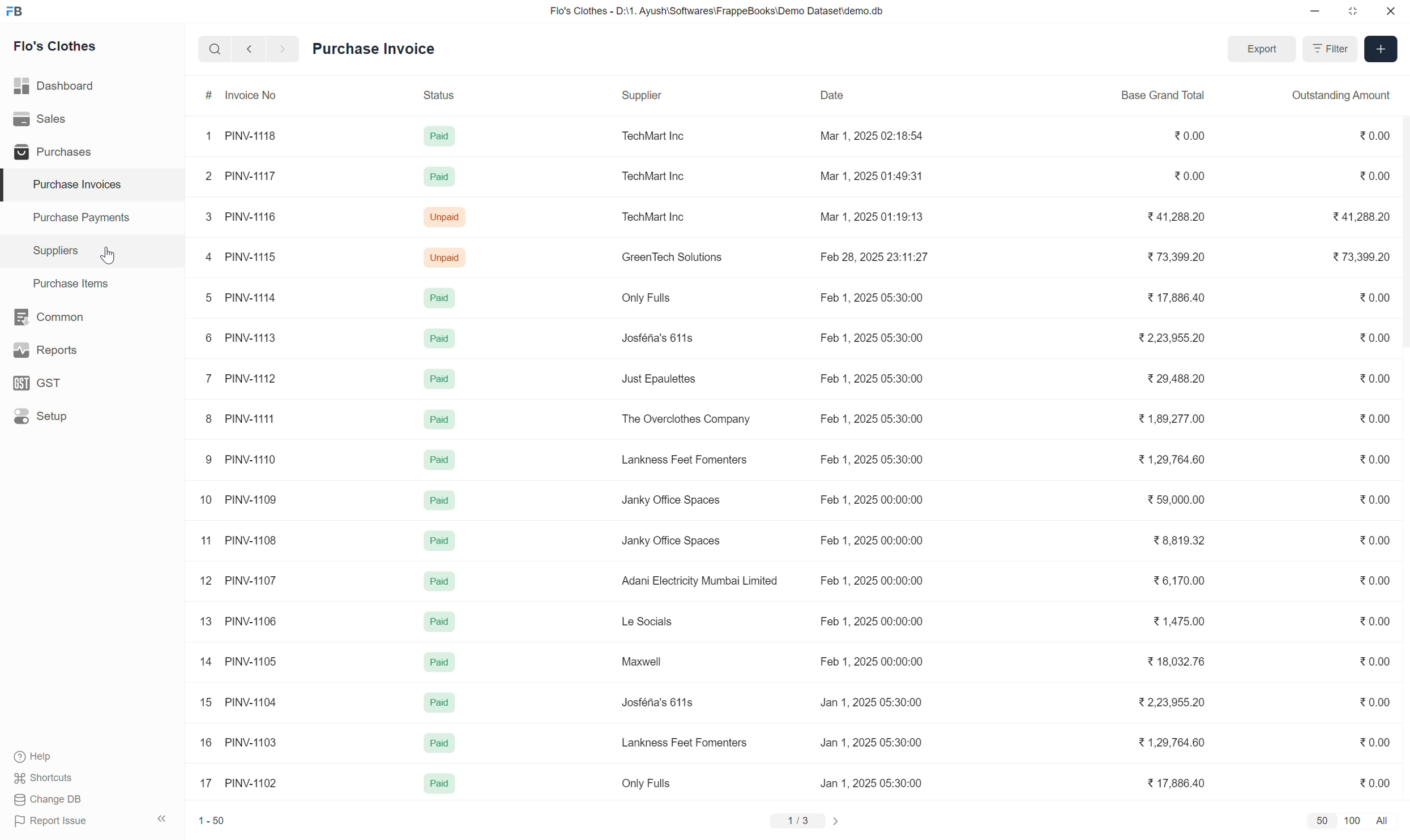  Describe the element at coordinates (243, 295) in the screenshot. I see `5 PINV-1114` at that location.